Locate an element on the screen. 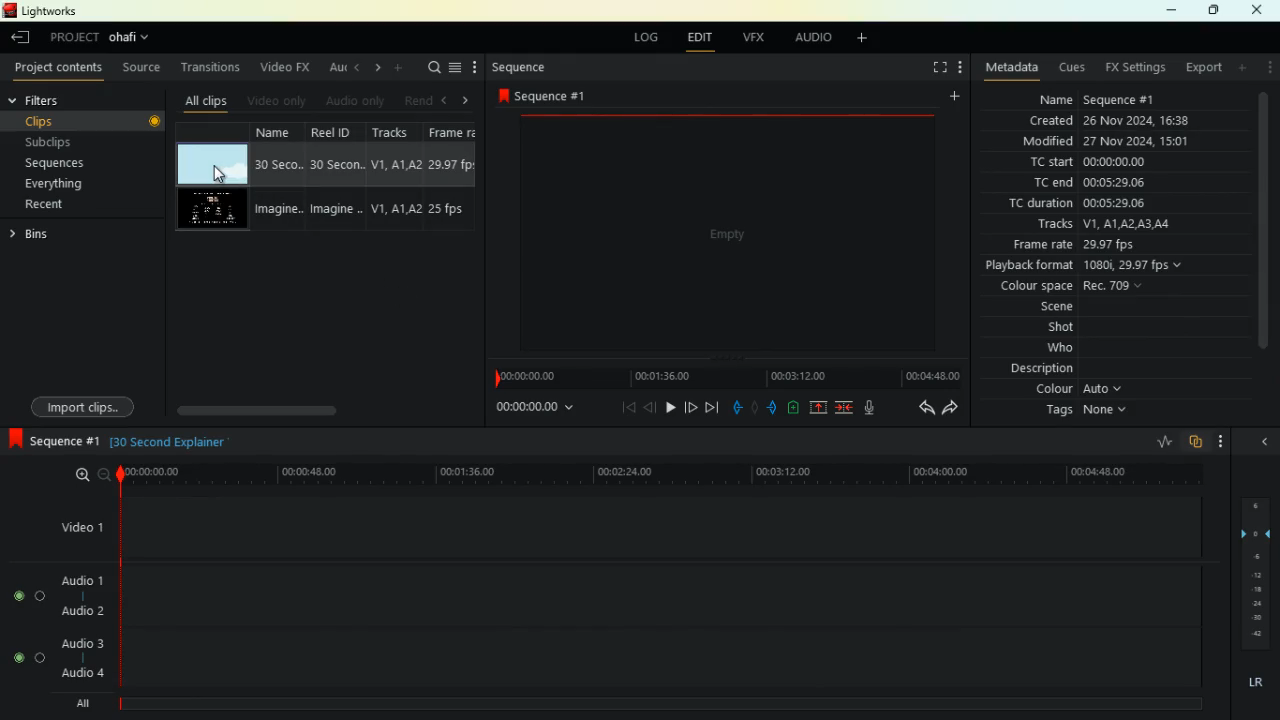 This screenshot has width=1280, height=720. end is located at coordinates (712, 406).